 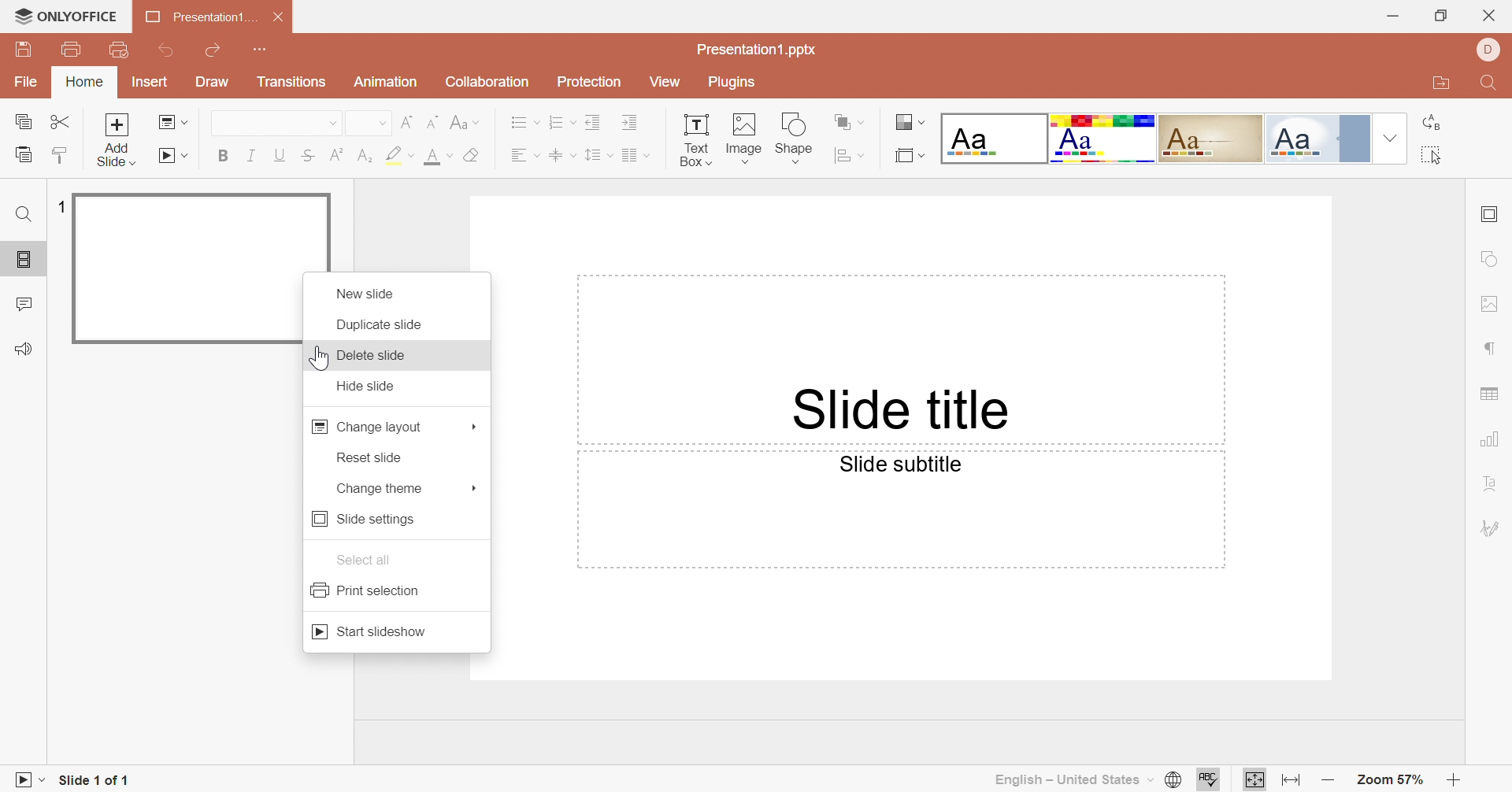 What do you see at coordinates (1492, 13) in the screenshot?
I see `close` at bounding box center [1492, 13].